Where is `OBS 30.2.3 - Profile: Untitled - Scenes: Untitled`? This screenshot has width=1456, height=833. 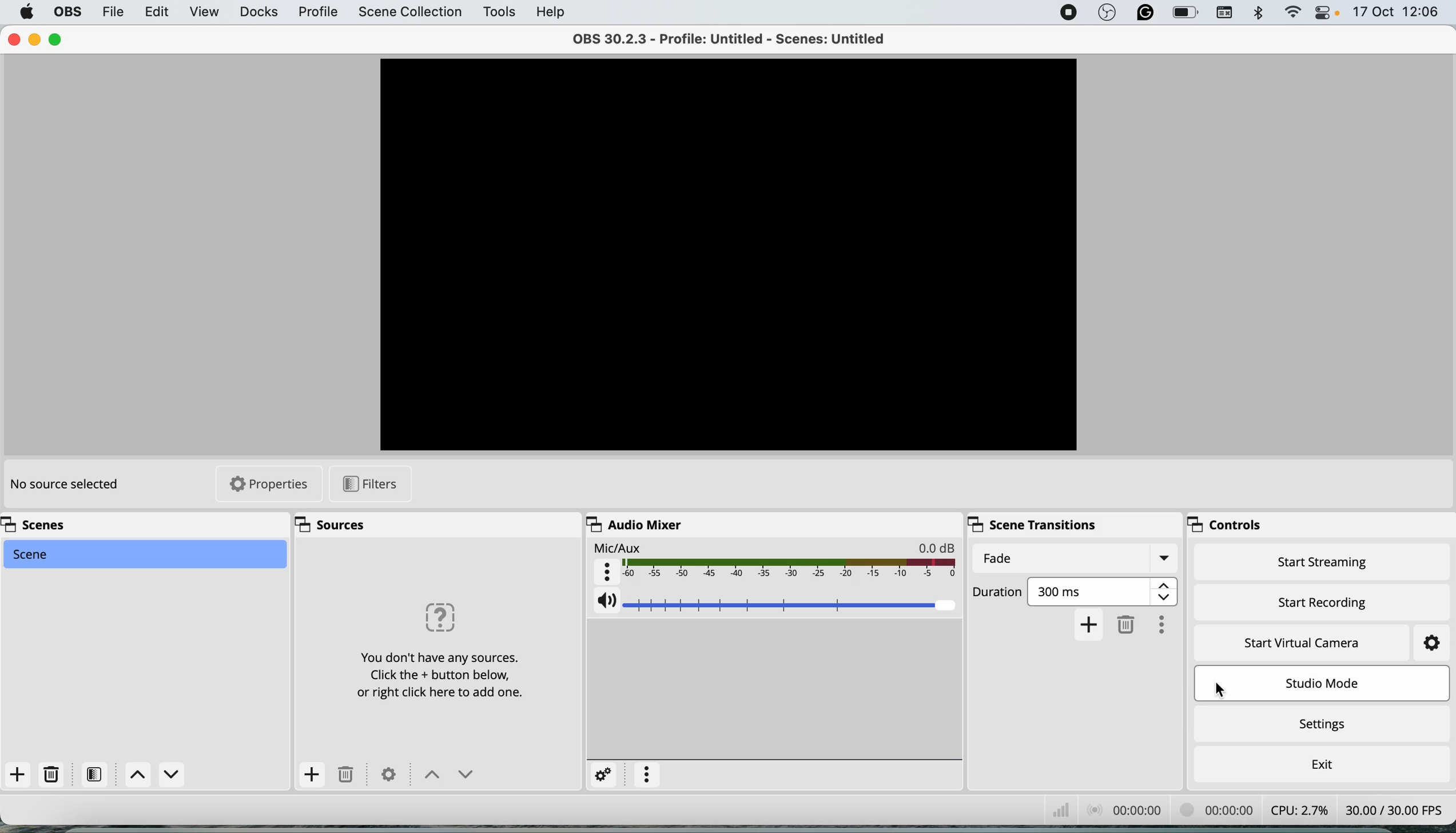 OBS 30.2.3 - Profile: Untitled - Scenes: Untitled is located at coordinates (731, 38).